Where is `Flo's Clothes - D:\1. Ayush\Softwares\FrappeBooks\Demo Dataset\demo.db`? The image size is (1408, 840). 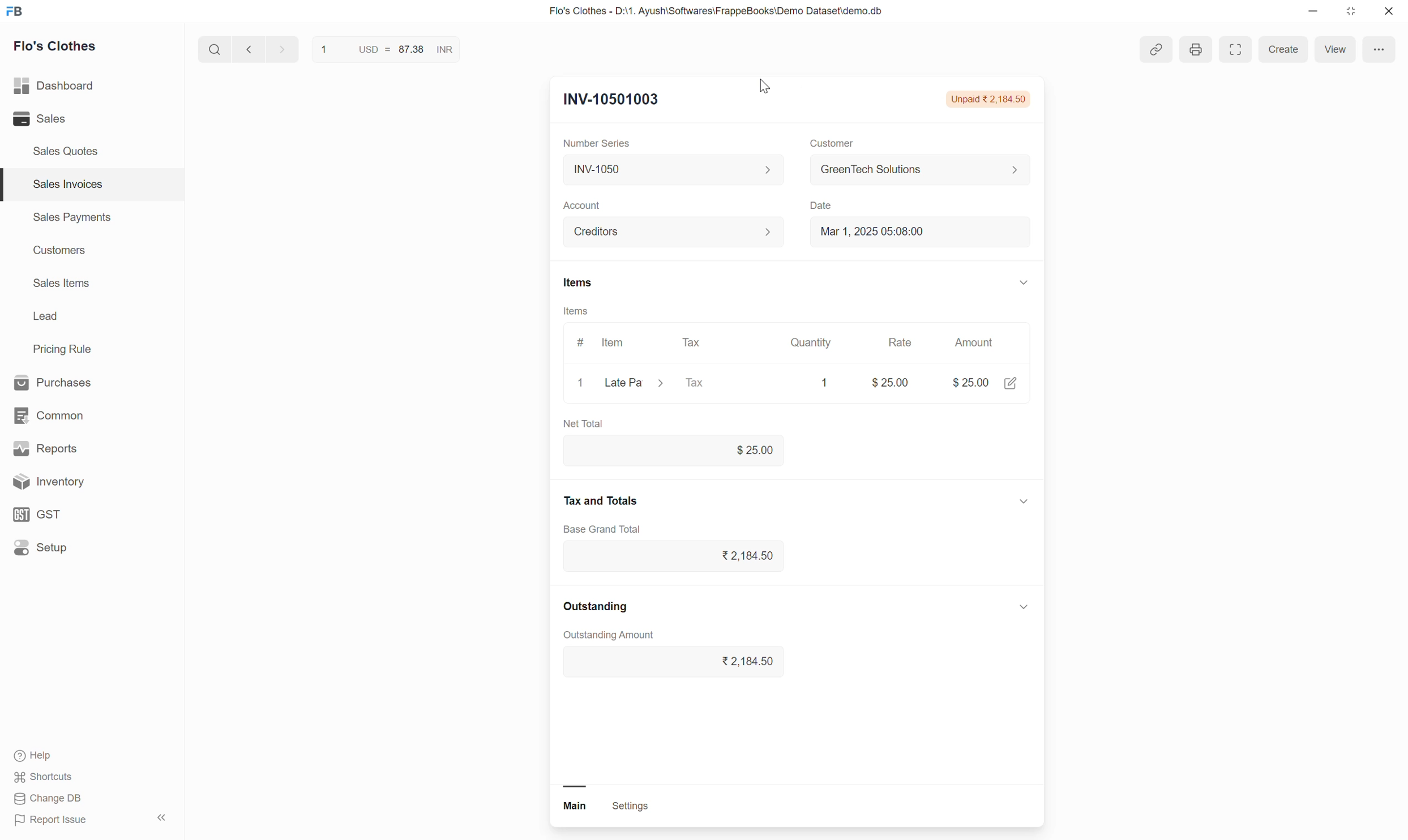
Flo's Clothes - D:\1. Ayush\Softwares\FrappeBooks\Demo Dataset\demo.db is located at coordinates (726, 12).